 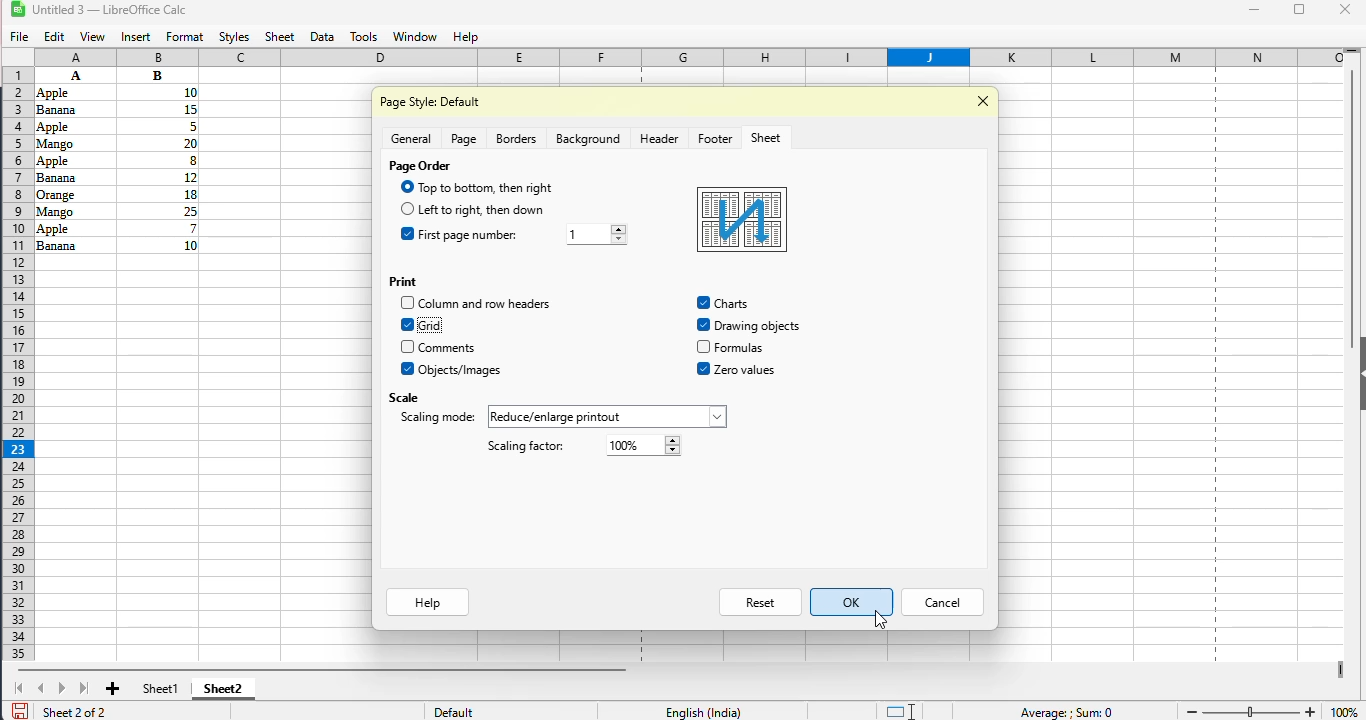 I want to click on , so click(x=69, y=92).